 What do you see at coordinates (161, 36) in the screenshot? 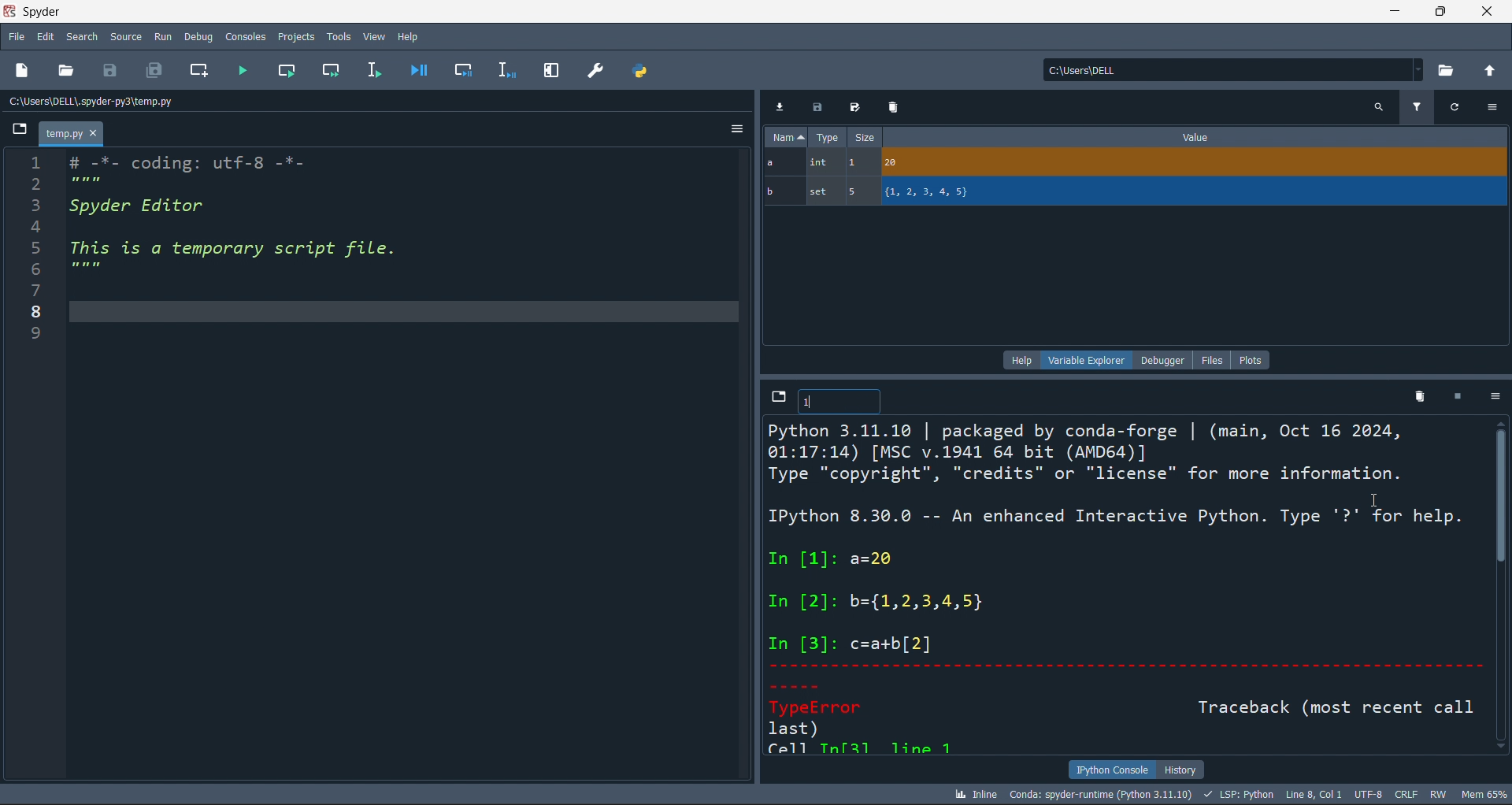
I see `run` at bounding box center [161, 36].